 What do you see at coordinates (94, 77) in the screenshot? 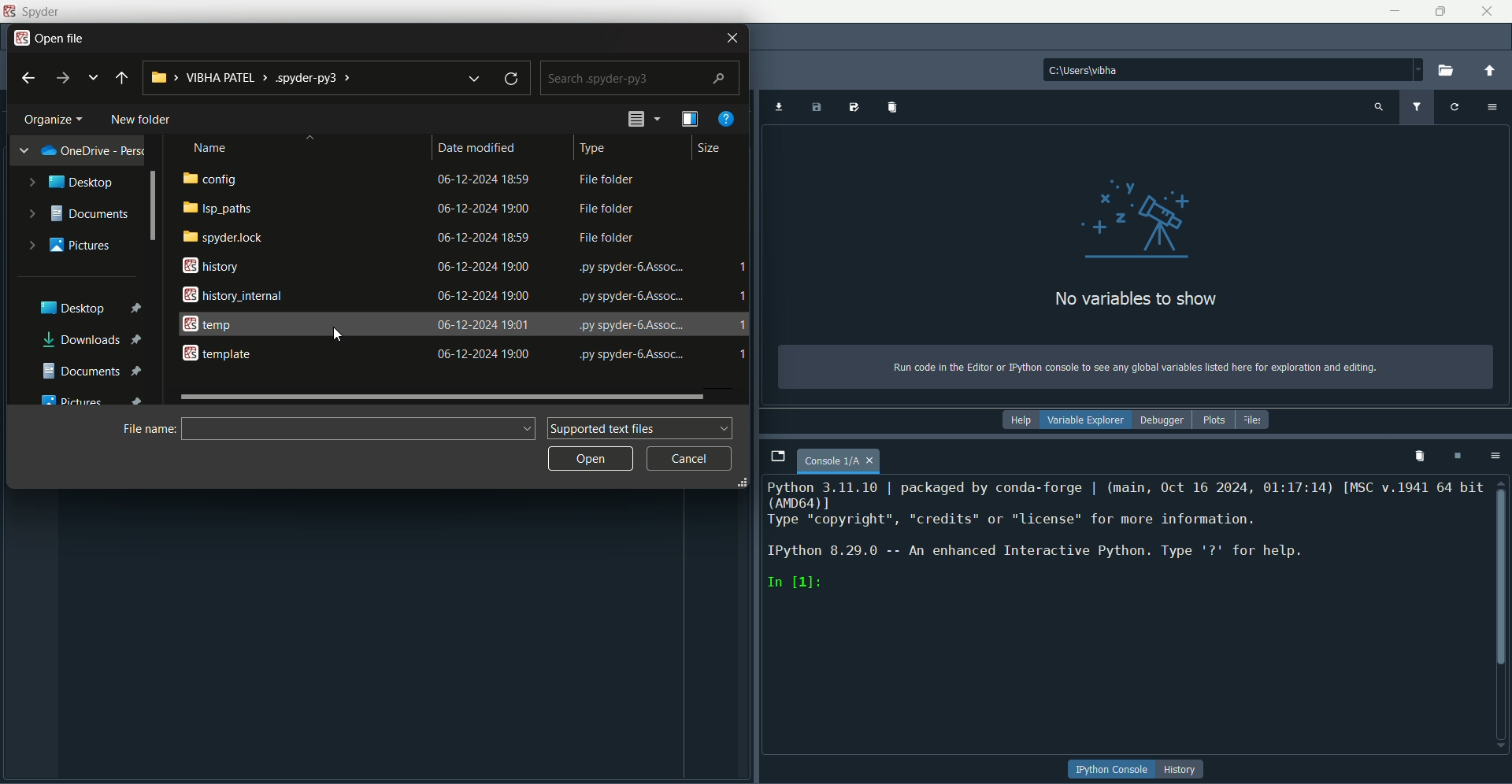
I see `explore` at bounding box center [94, 77].